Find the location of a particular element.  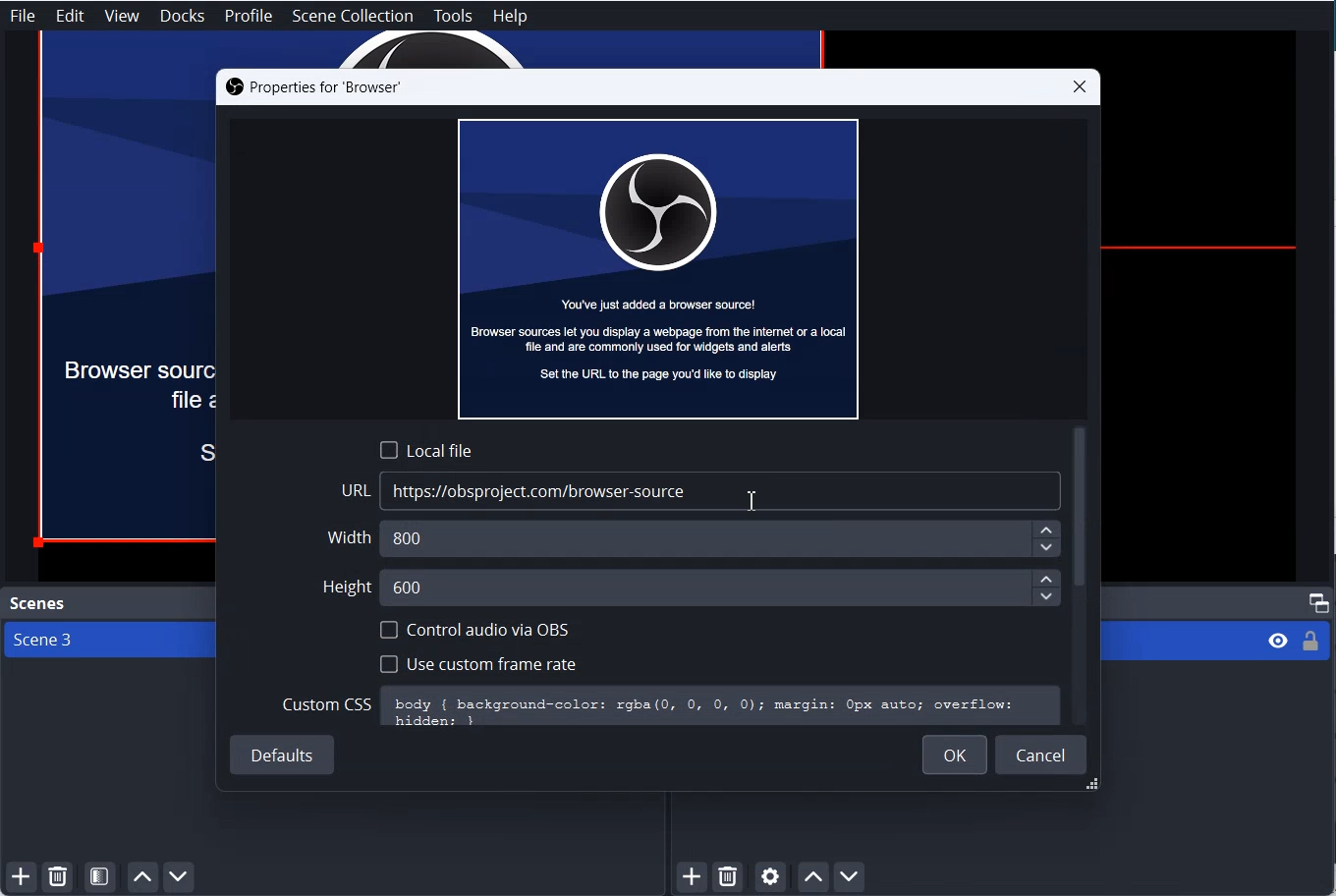

Remove selected Source is located at coordinates (728, 877).